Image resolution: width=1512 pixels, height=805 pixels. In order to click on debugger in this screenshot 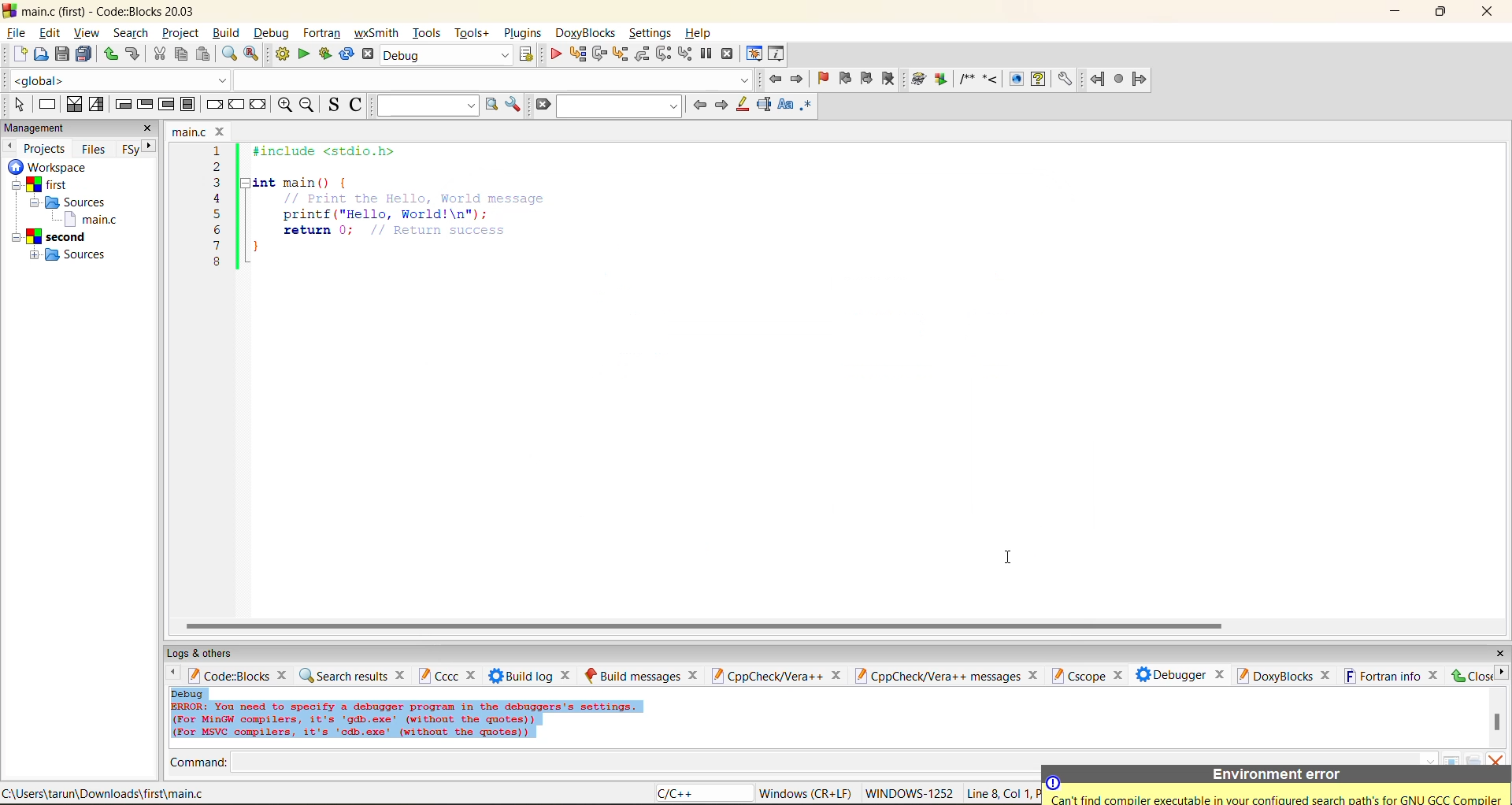, I will do `click(1170, 674)`.